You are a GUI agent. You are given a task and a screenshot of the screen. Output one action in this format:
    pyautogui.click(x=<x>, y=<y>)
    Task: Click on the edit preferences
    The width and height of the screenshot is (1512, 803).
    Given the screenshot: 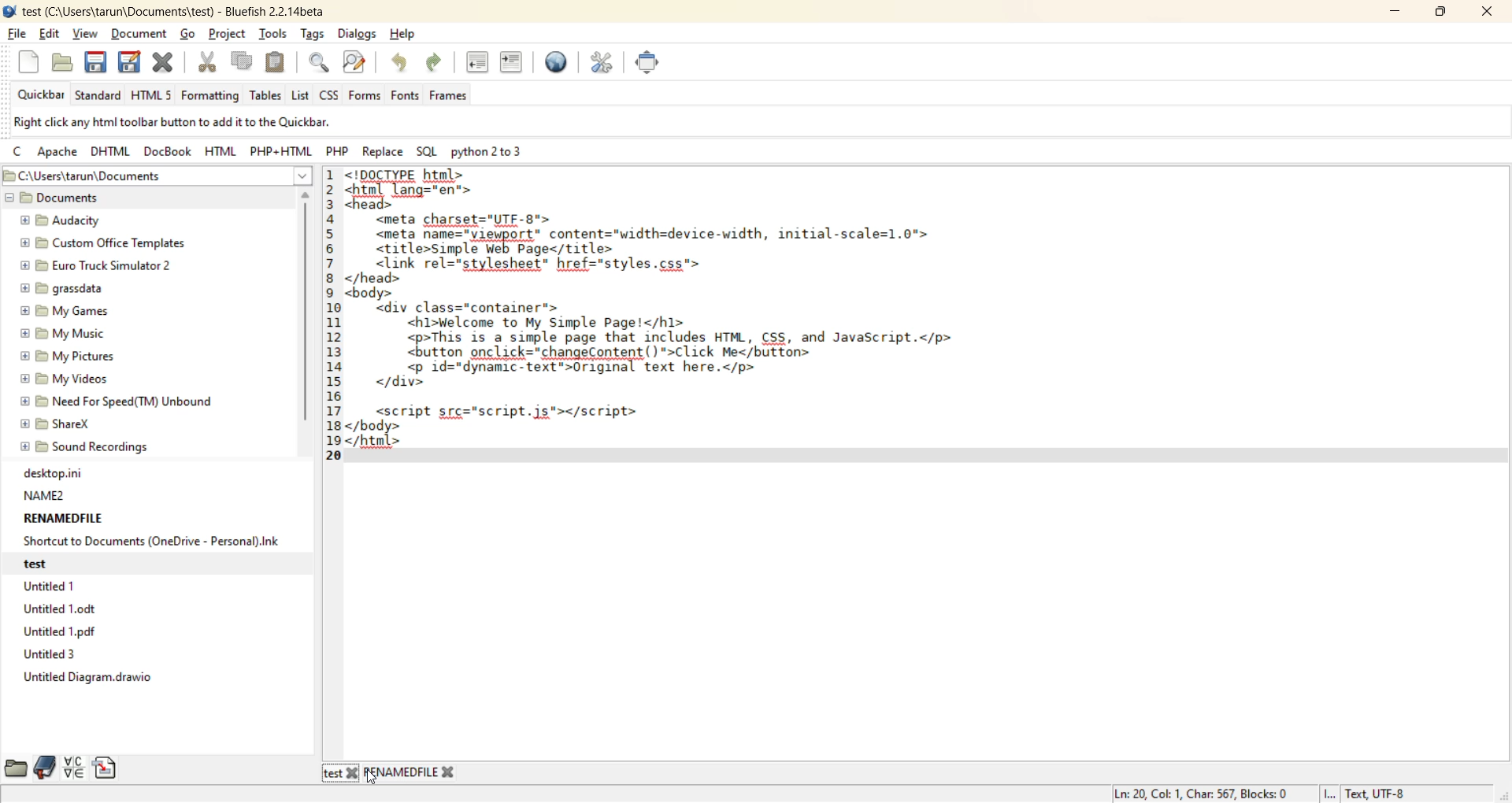 What is the action you would take?
    pyautogui.click(x=605, y=65)
    